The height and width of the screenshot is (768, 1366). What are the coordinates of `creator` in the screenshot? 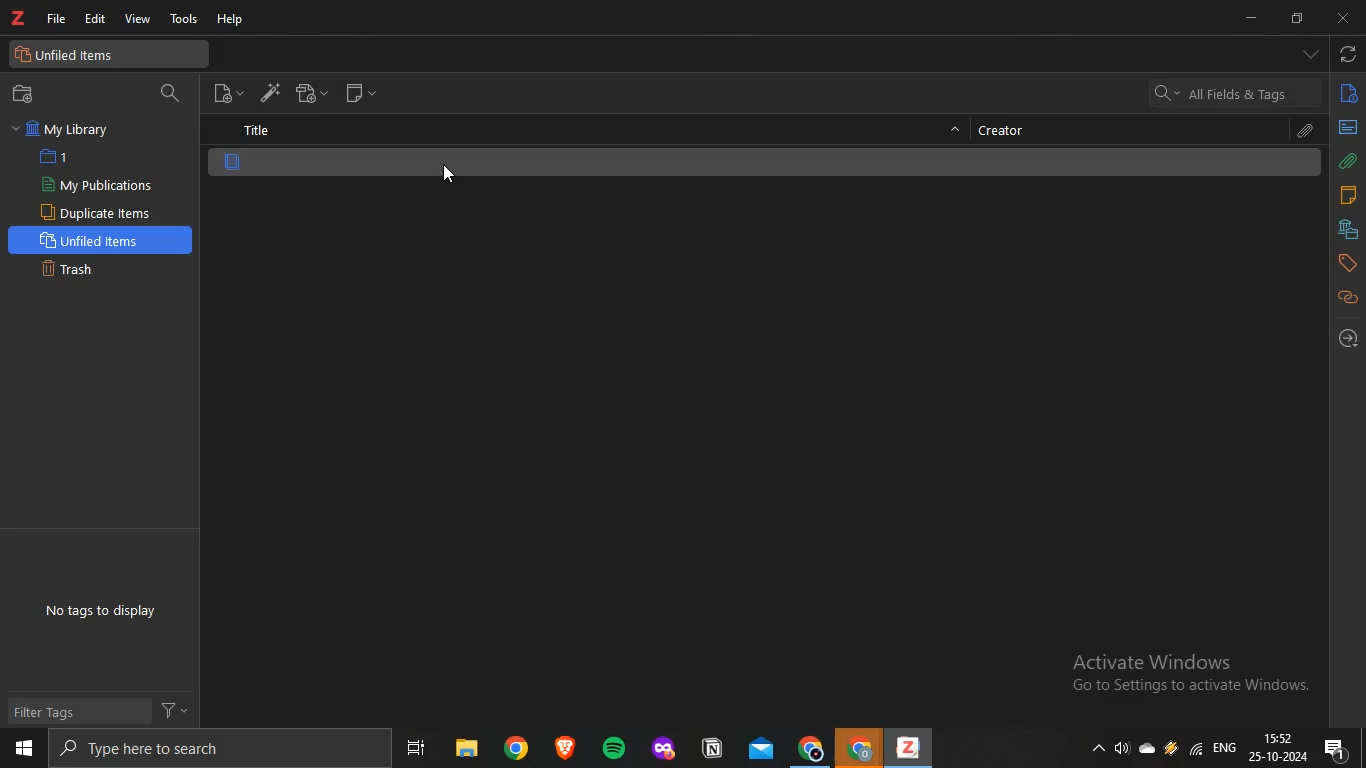 It's located at (1009, 129).